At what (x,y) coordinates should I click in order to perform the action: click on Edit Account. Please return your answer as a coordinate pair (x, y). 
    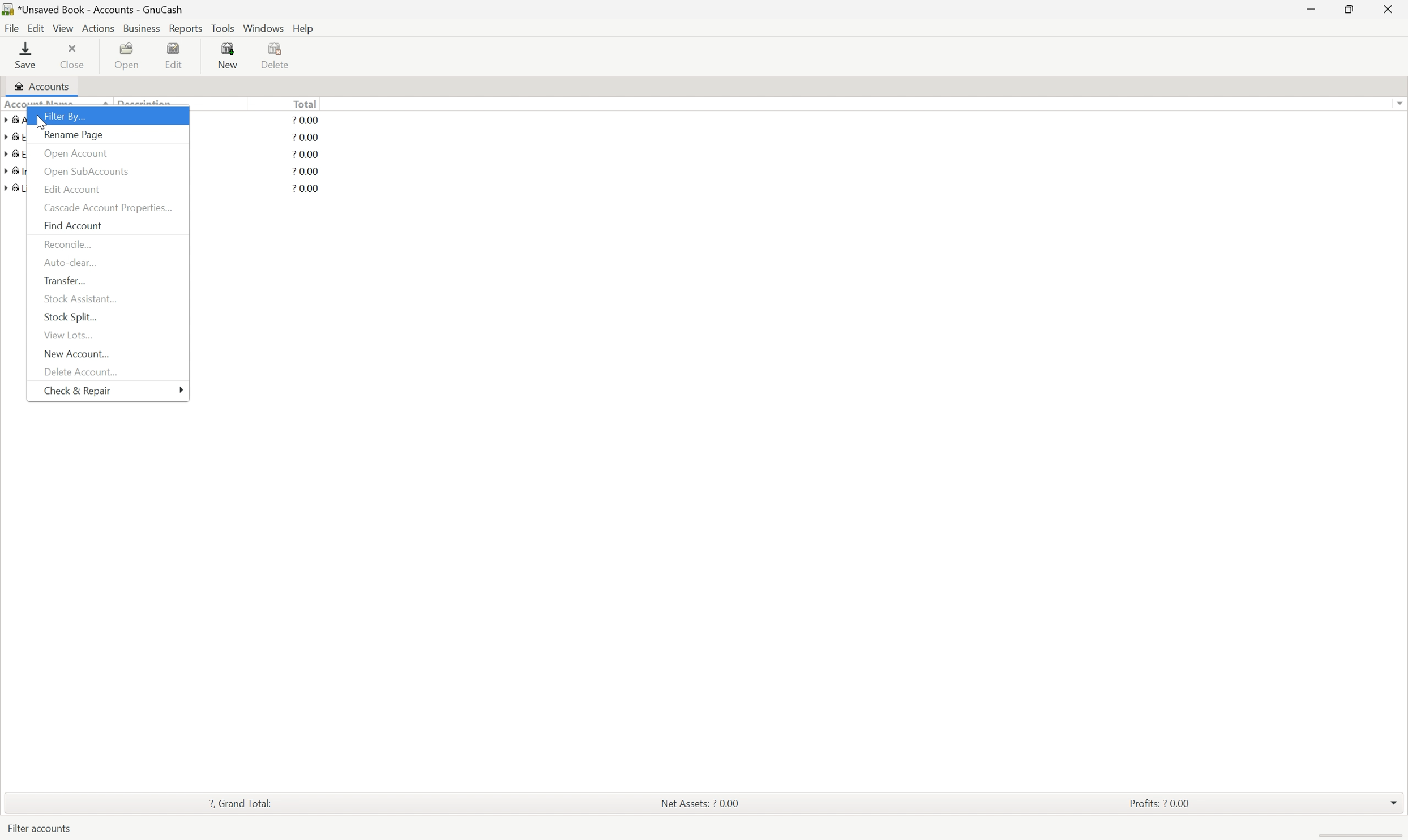
    Looking at the image, I should click on (73, 188).